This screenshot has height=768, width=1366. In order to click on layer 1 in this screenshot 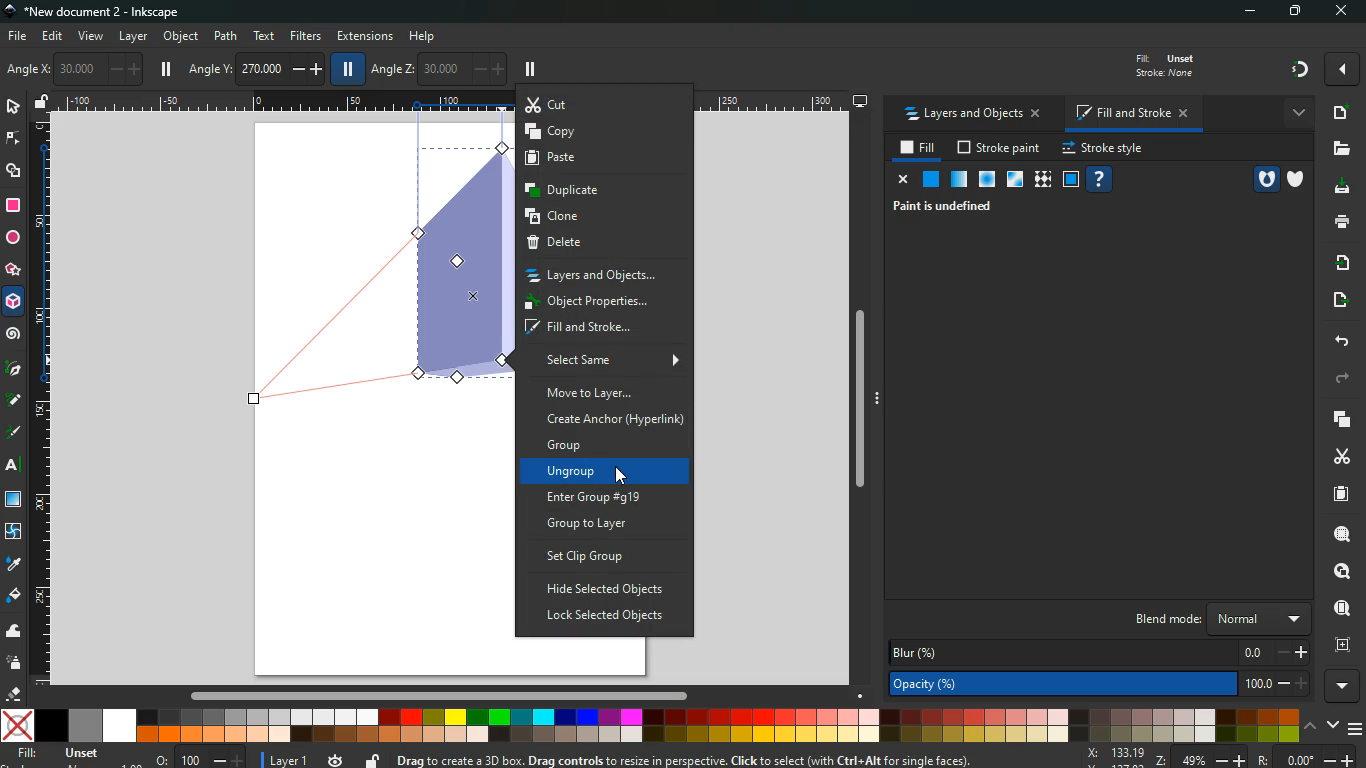, I will do `click(290, 757)`.